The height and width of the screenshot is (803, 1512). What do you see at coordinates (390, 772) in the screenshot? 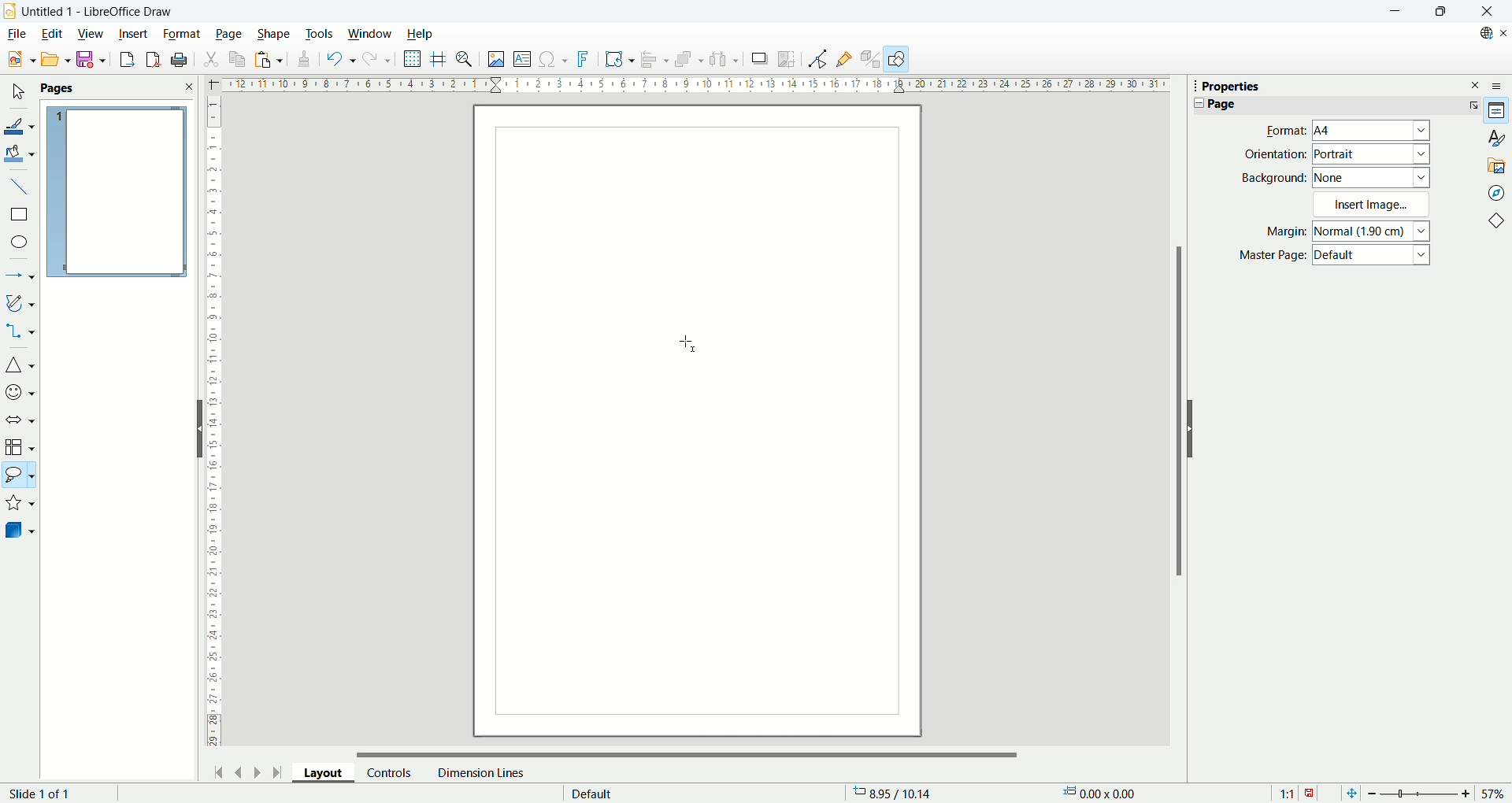
I see `control` at bounding box center [390, 772].